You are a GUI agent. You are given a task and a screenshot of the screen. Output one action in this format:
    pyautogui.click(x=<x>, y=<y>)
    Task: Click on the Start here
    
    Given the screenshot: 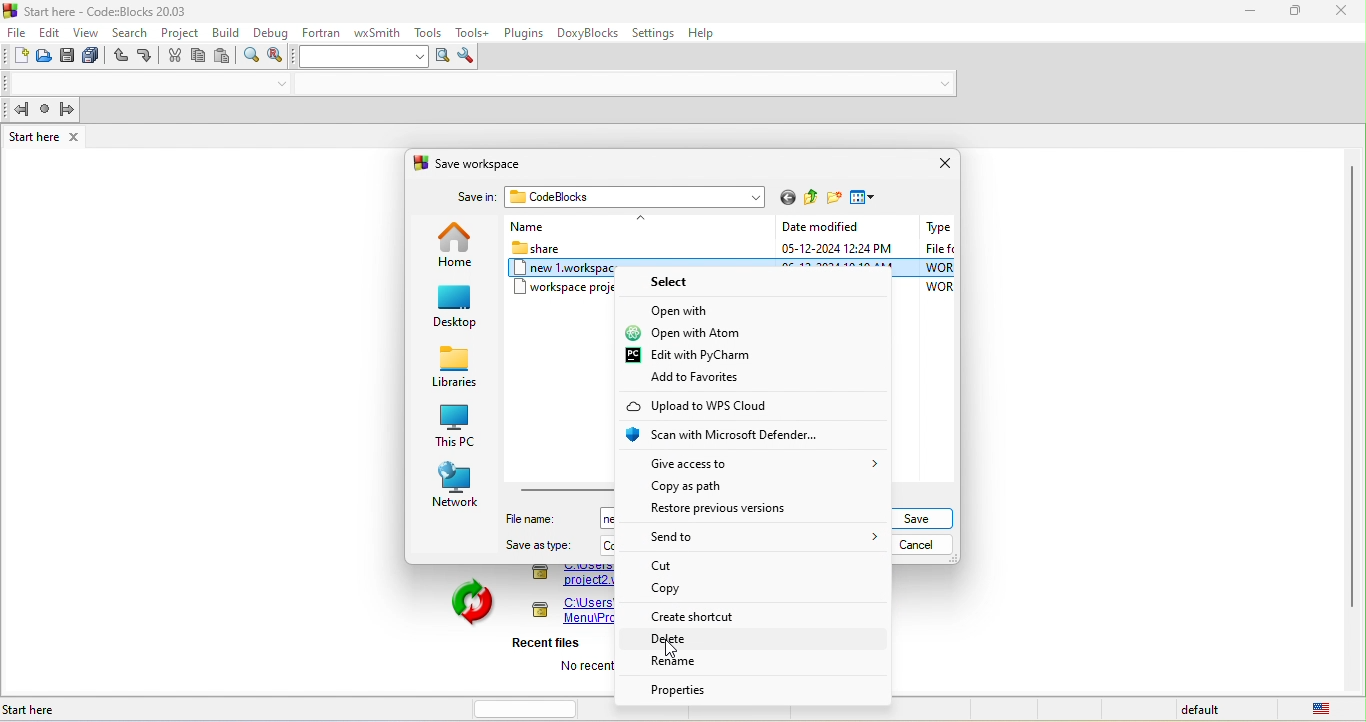 What is the action you would take?
    pyautogui.click(x=33, y=710)
    